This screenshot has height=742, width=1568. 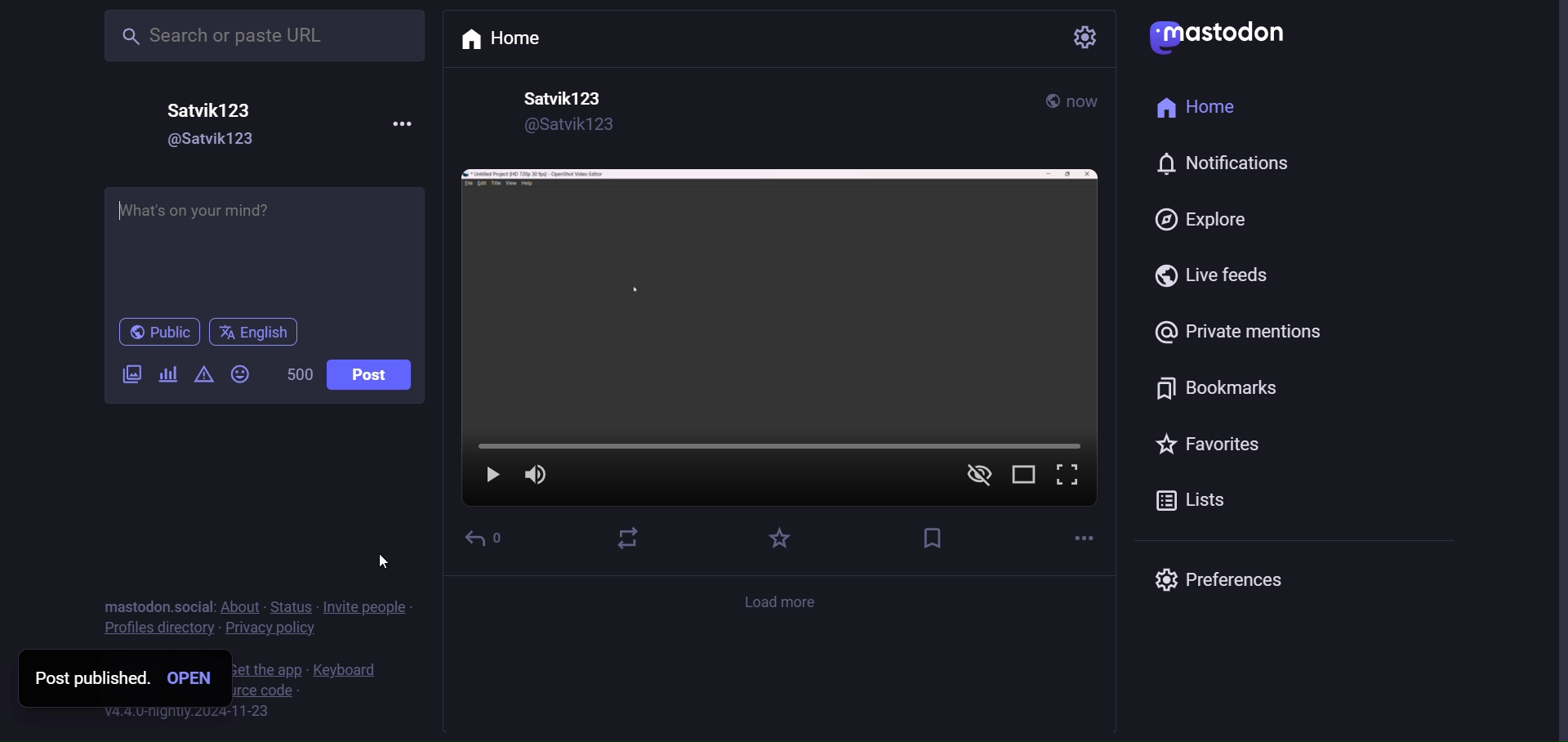 I want to click on video track, so click(x=792, y=449).